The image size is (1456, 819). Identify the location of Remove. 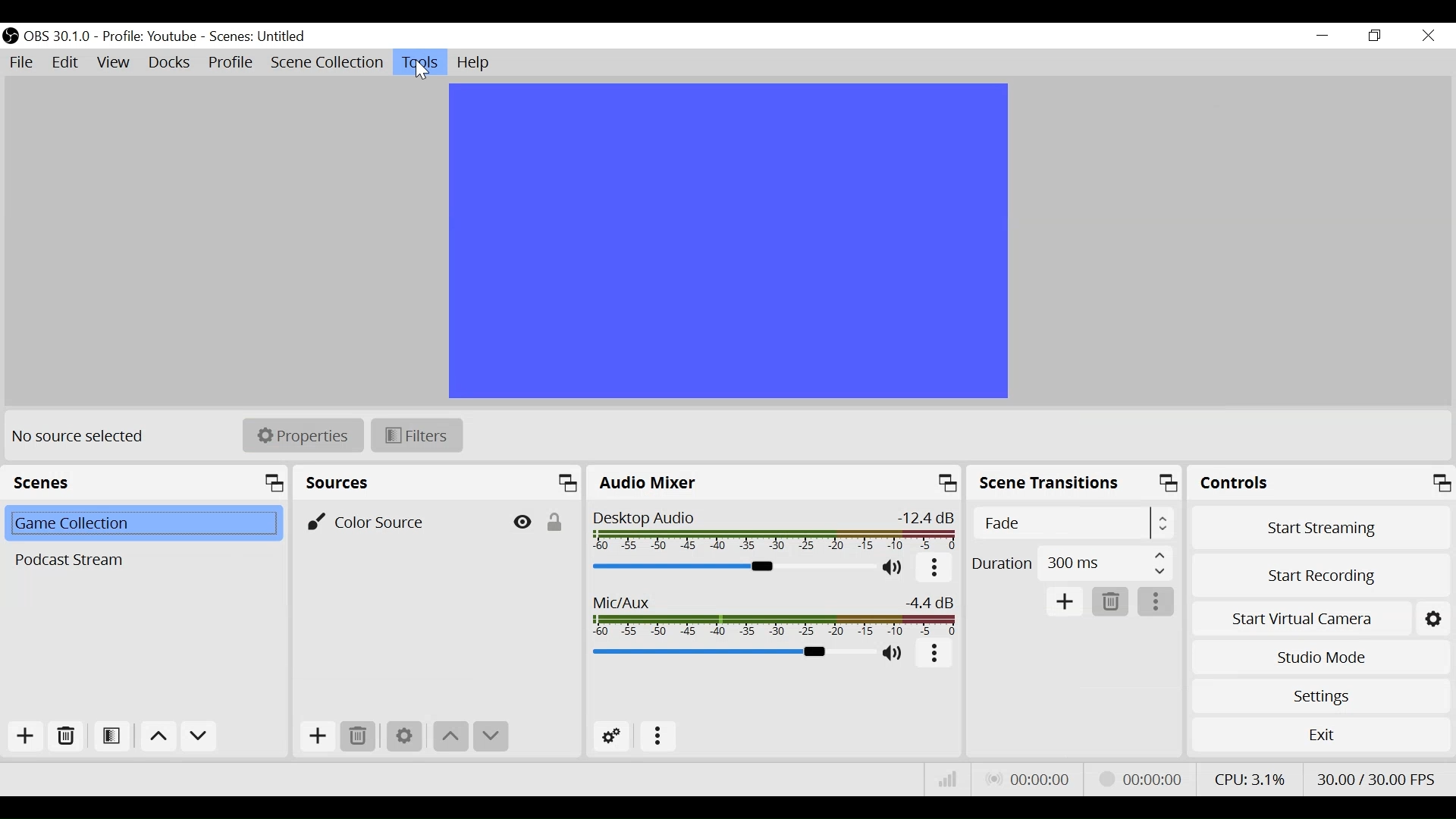
(360, 737).